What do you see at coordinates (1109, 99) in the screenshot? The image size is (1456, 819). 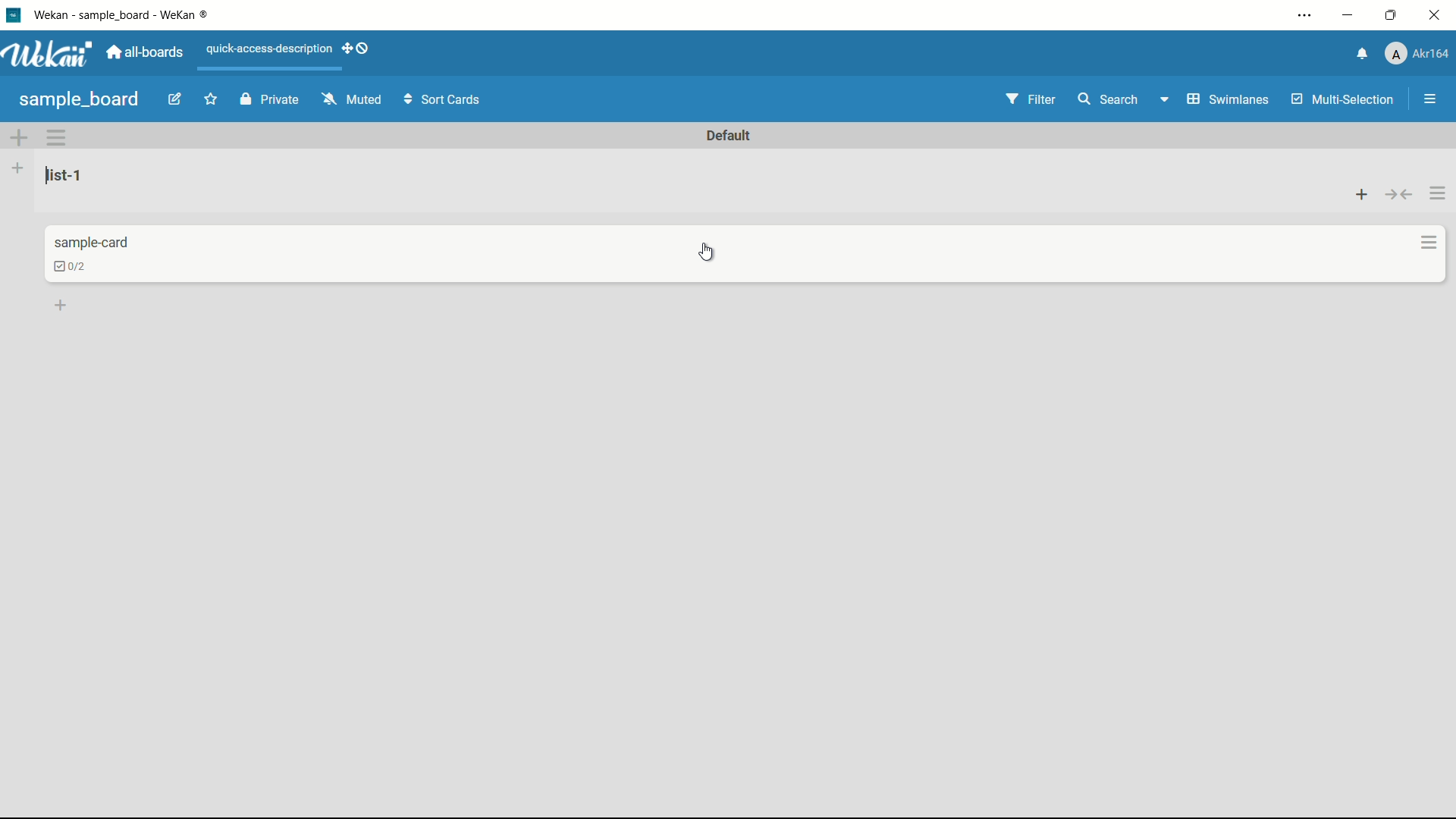 I see `search` at bounding box center [1109, 99].